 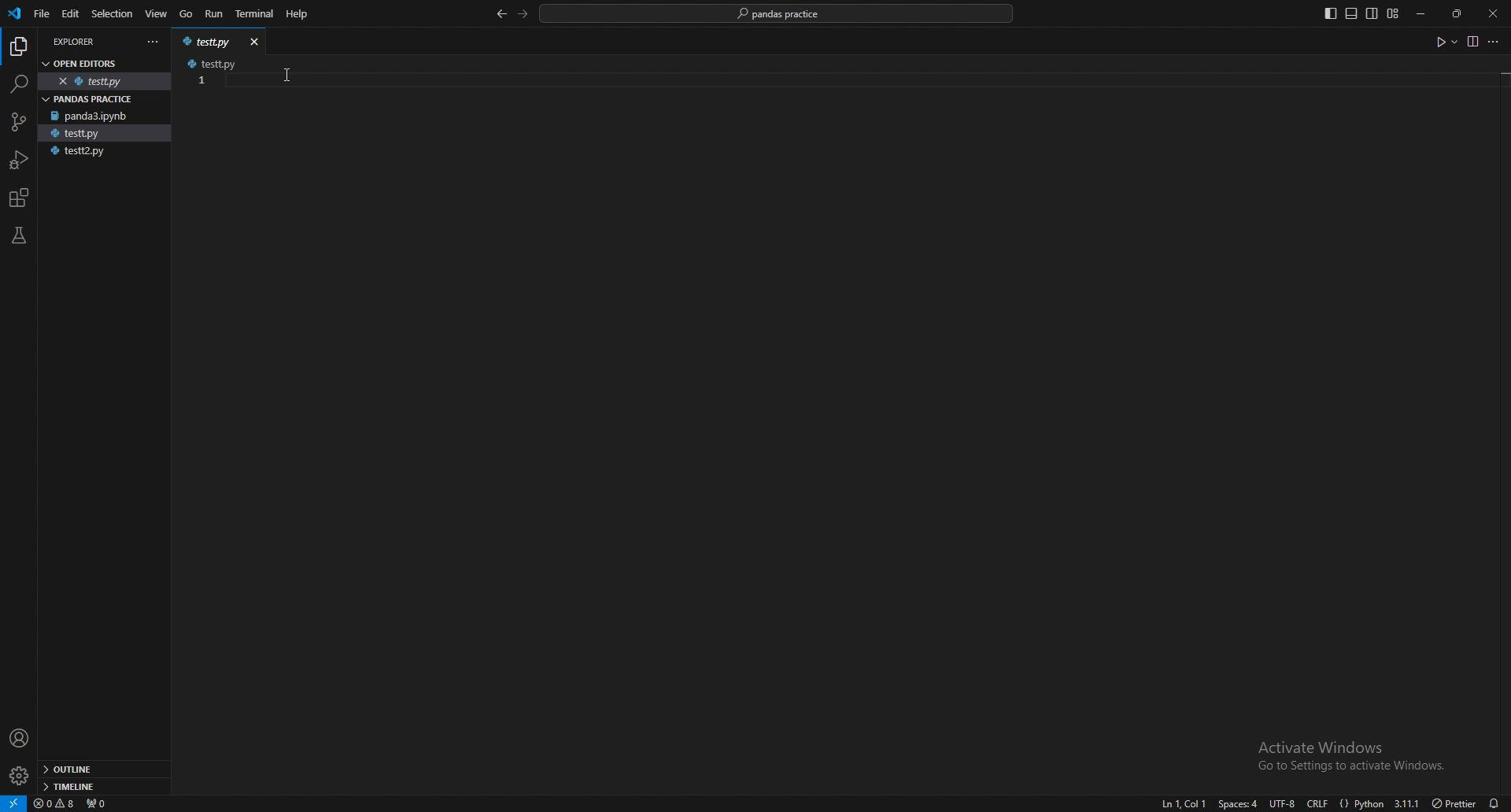 What do you see at coordinates (14, 14) in the screenshot?
I see `vscode logo` at bounding box center [14, 14].